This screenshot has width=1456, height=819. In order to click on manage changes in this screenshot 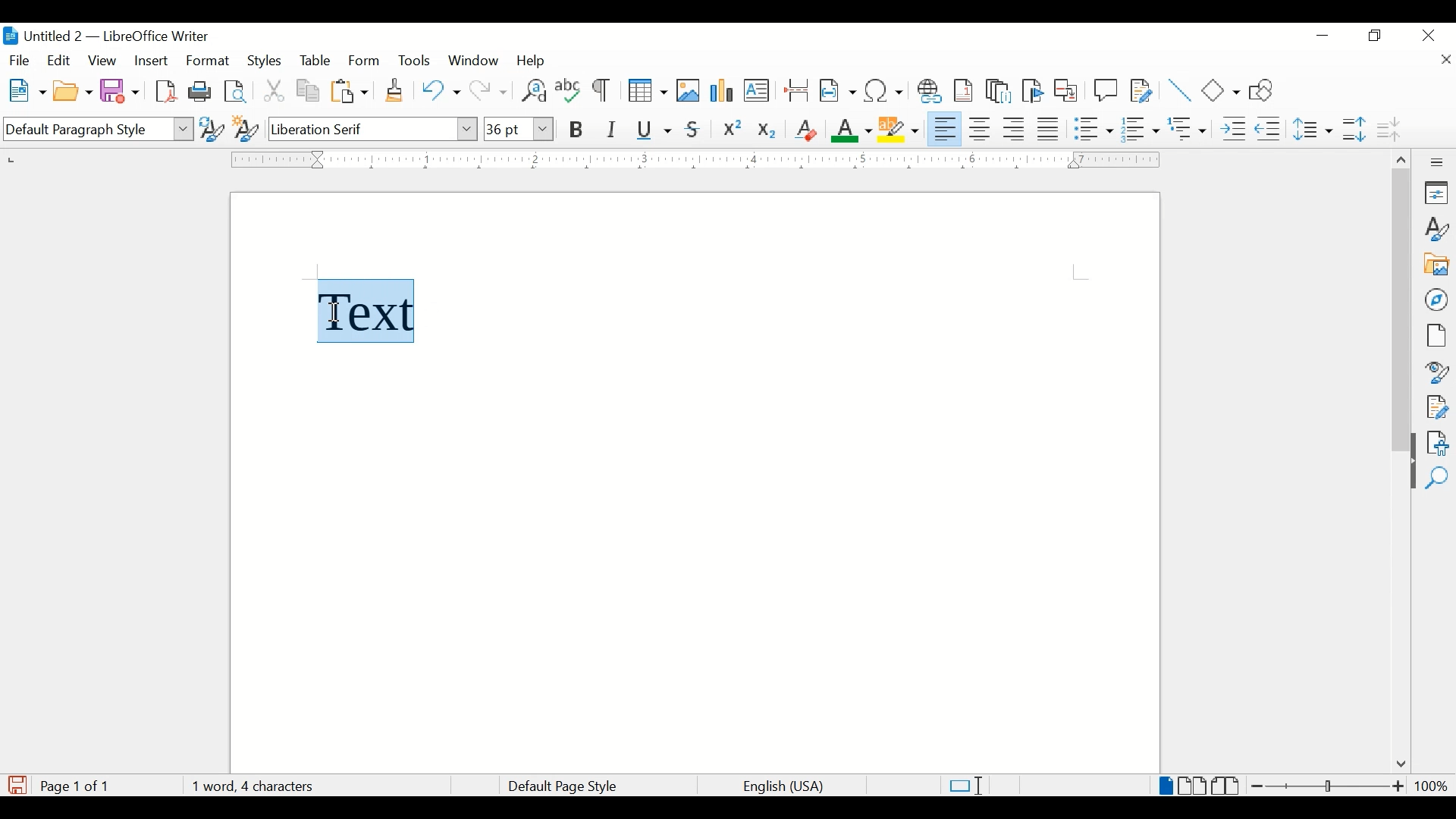, I will do `click(1437, 407)`.